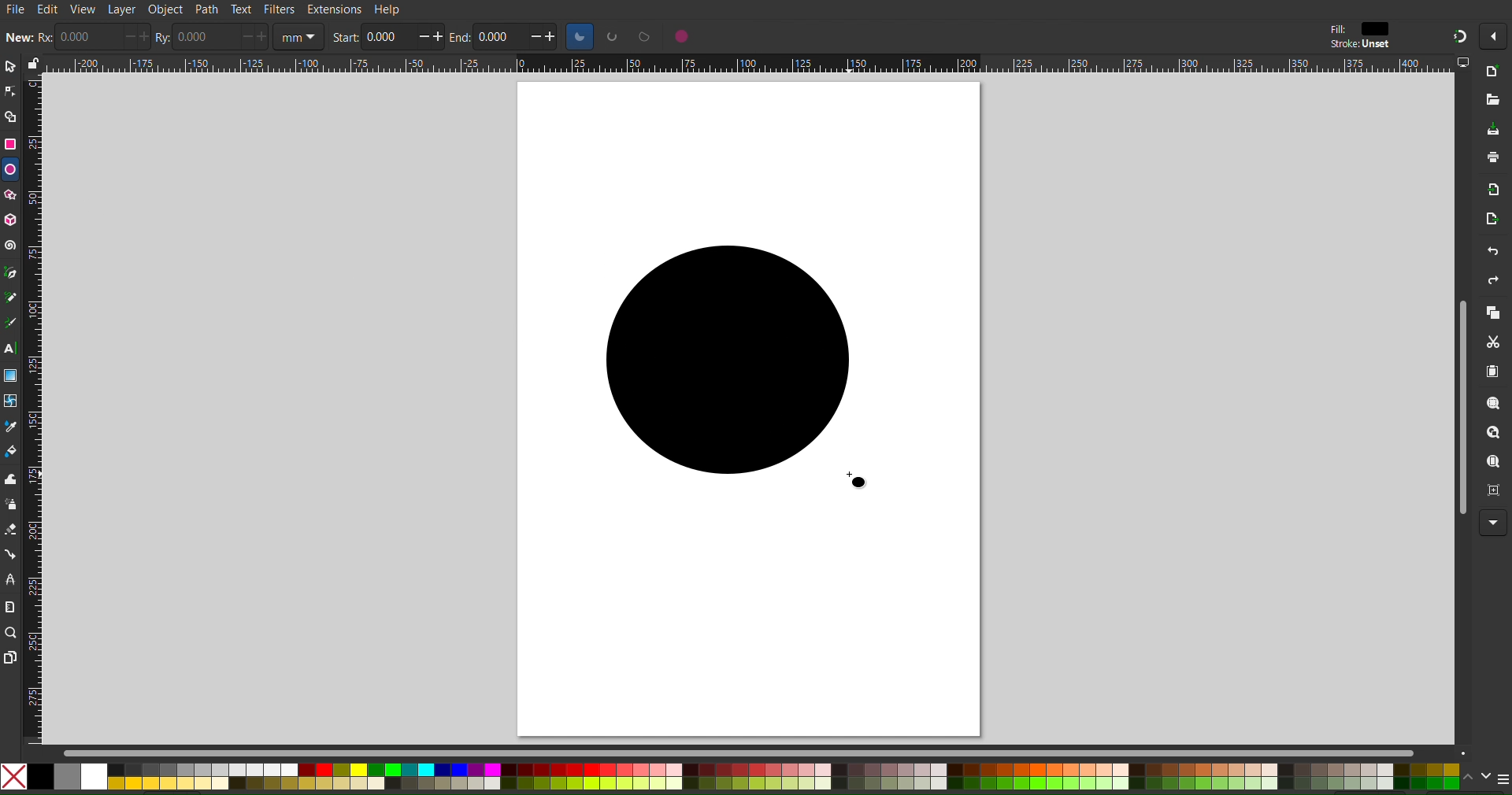 Image resolution: width=1512 pixels, height=795 pixels. What do you see at coordinates (11, 144) in the screenshot?
I see `Rectangle` at bounding box center [11, 144].